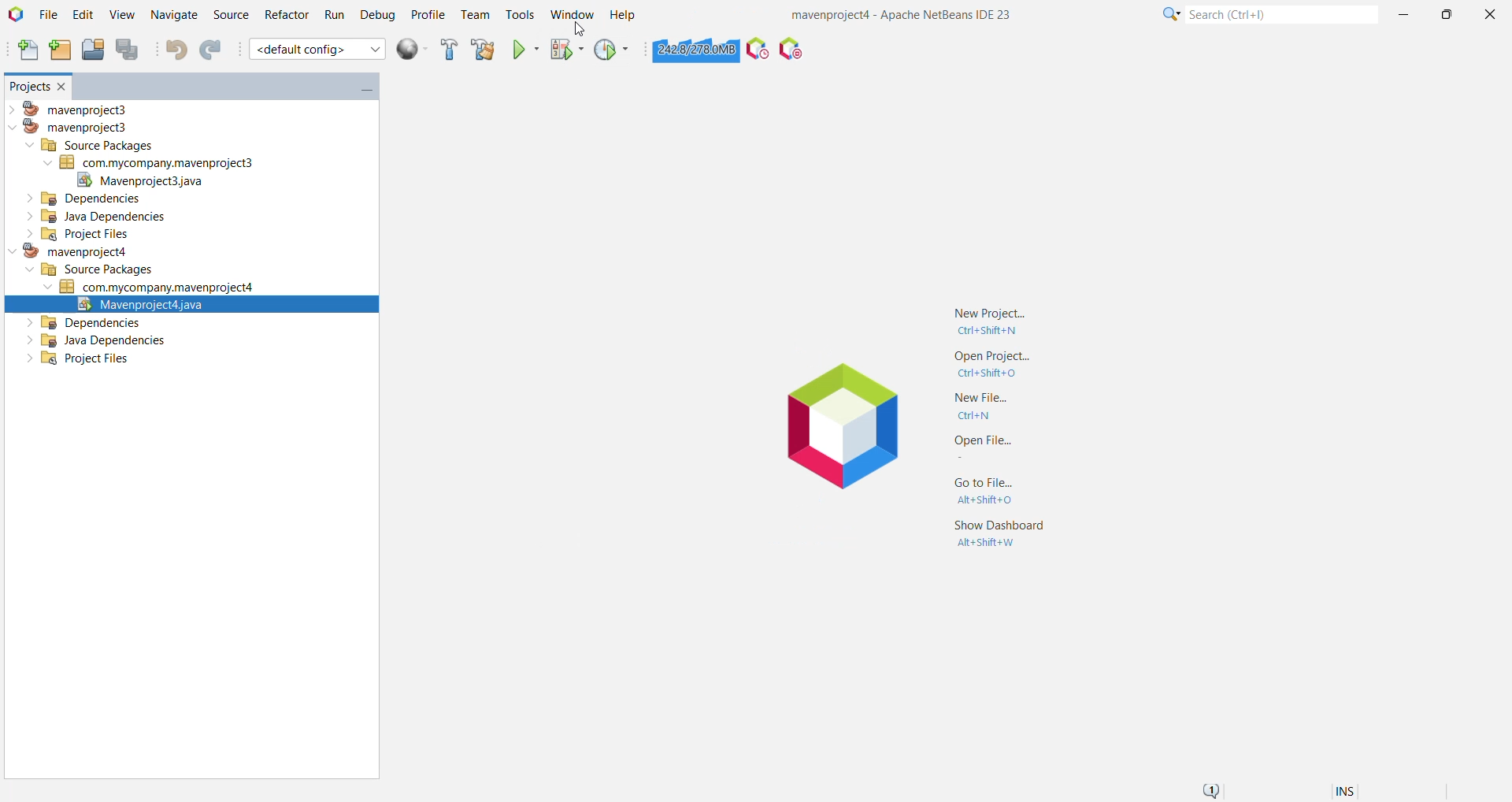  Describe the element at coordinates (85, 323) in the screenshot. I see `Dependencies` at that location.